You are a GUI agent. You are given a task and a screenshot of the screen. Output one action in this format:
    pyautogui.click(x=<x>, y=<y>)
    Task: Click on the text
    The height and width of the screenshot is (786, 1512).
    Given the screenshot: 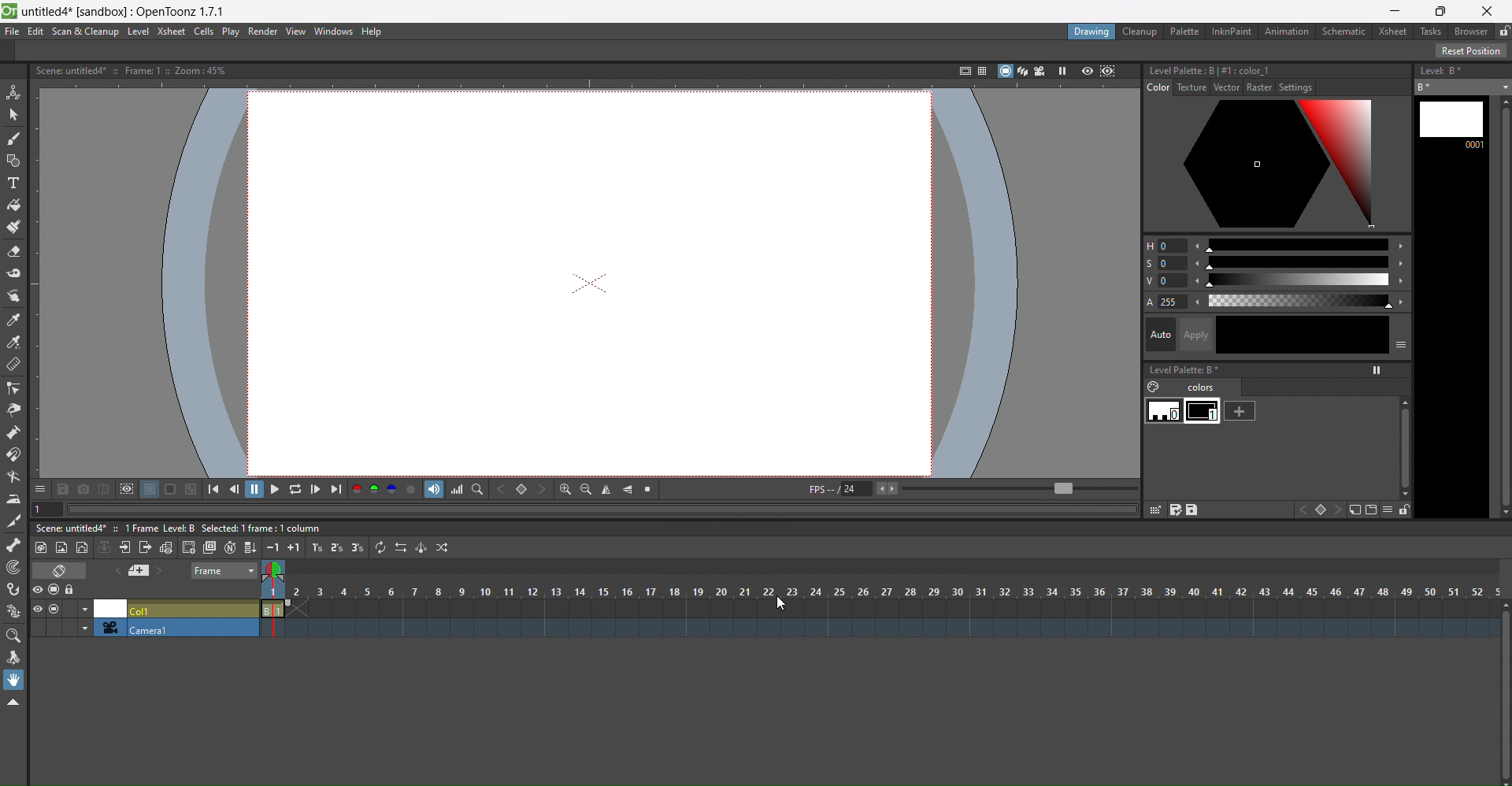 What is the action you would take?
    pyautogui.click(x=135, y=70)
    